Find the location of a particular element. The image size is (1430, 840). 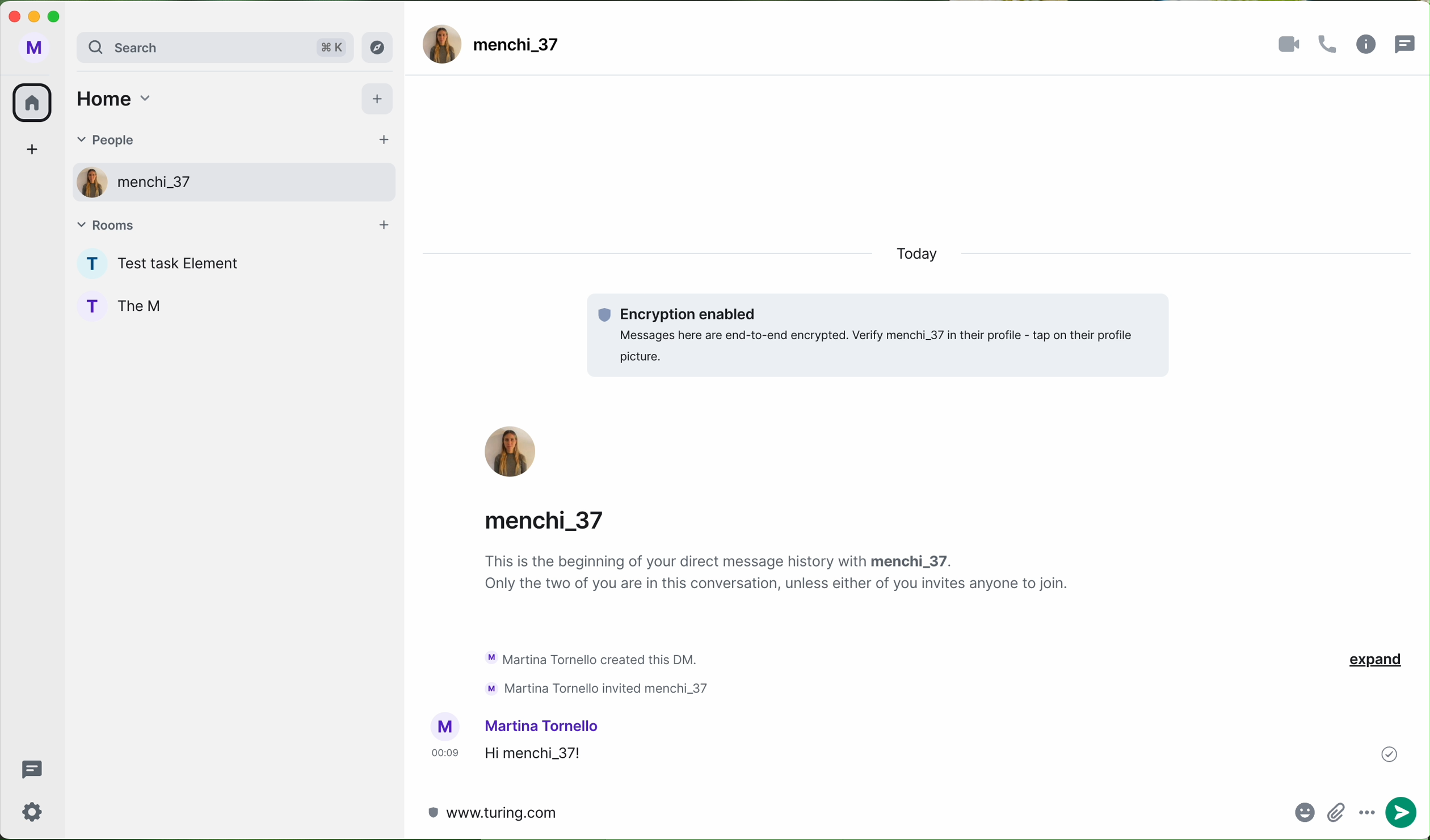

maximize is located at coordinates (59, 16).